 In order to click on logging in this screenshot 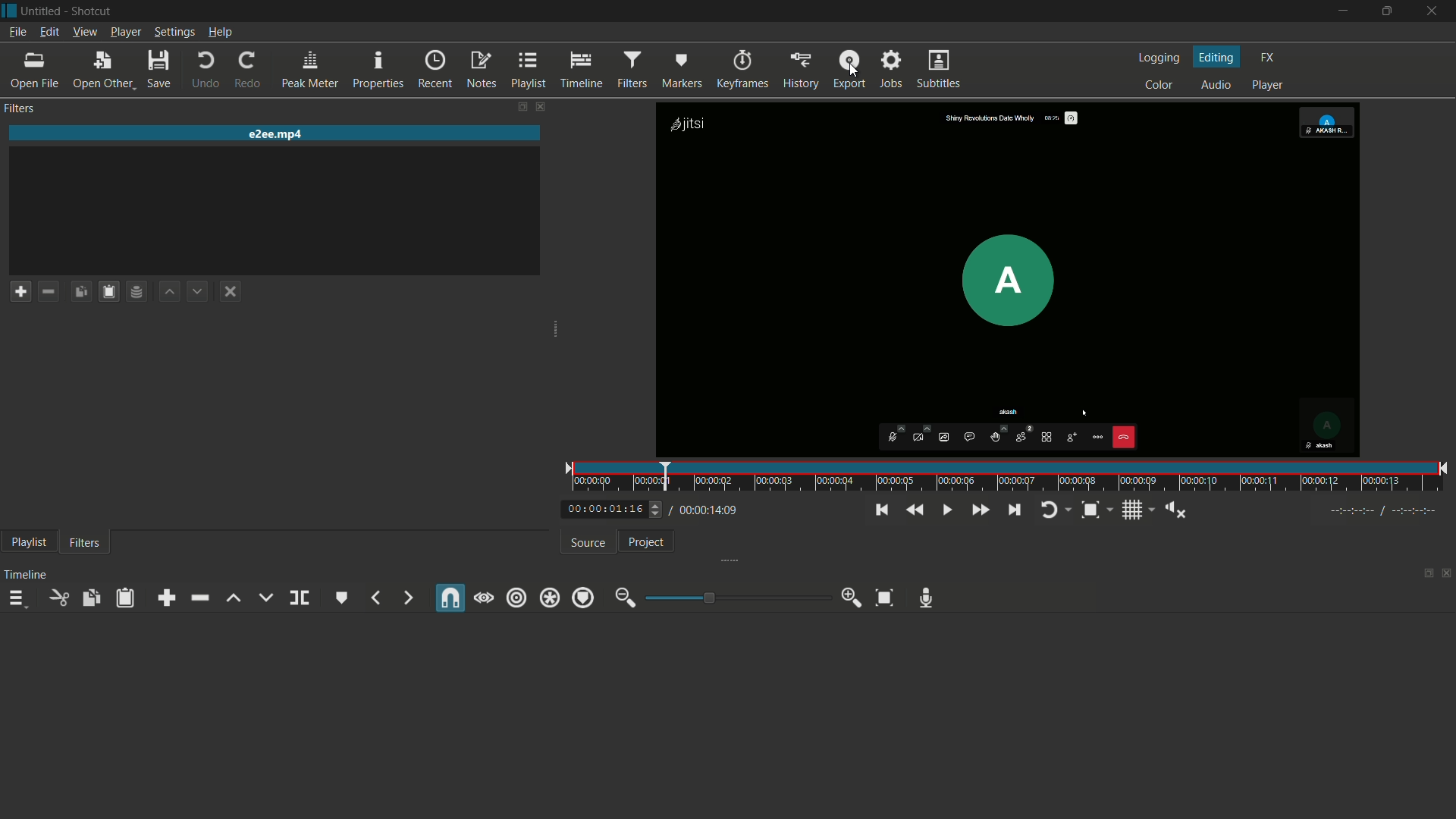, I will do `click(1159, 58)`.